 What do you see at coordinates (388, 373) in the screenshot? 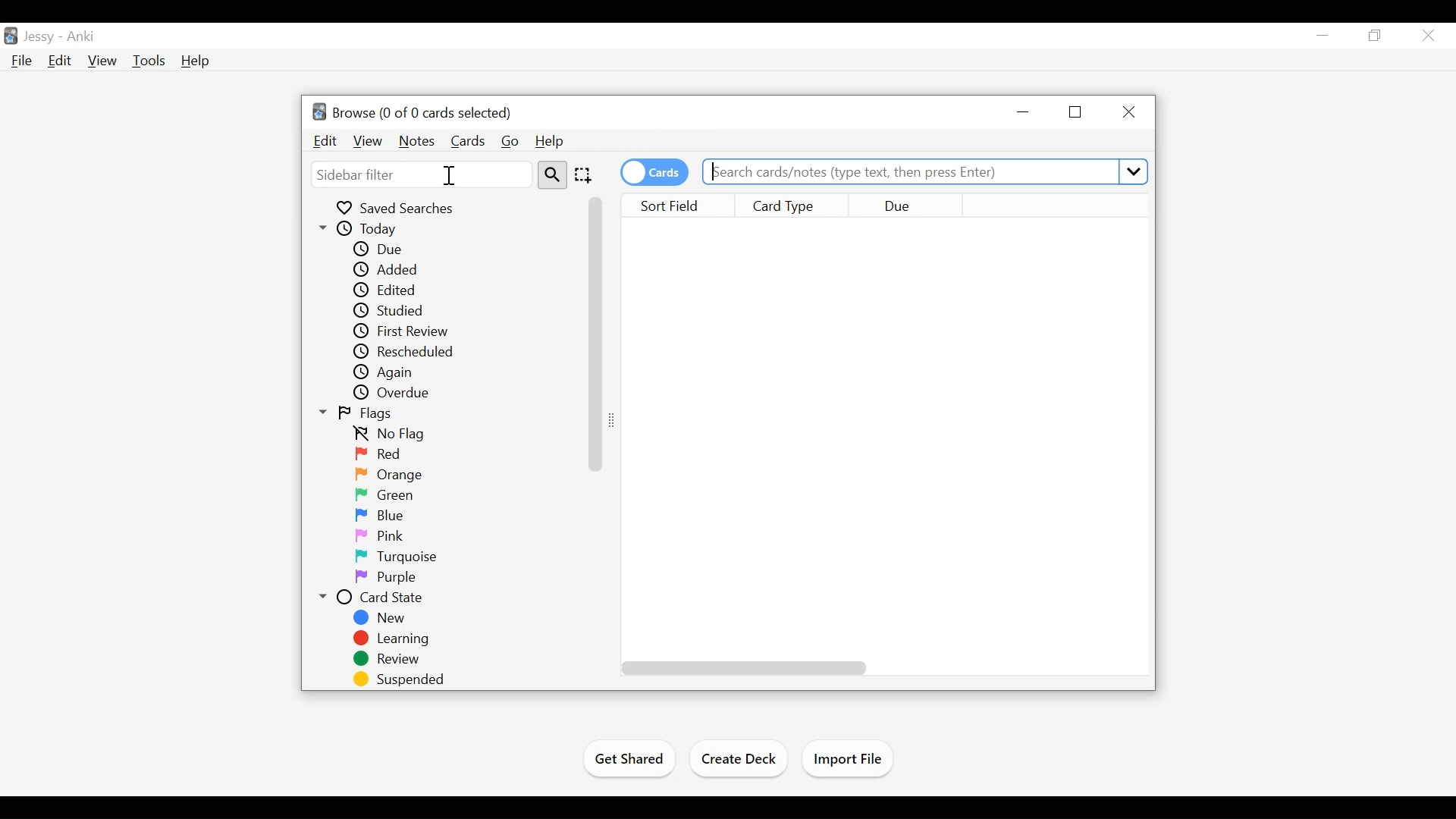
I see `Again` at bounding box center [388, 373].